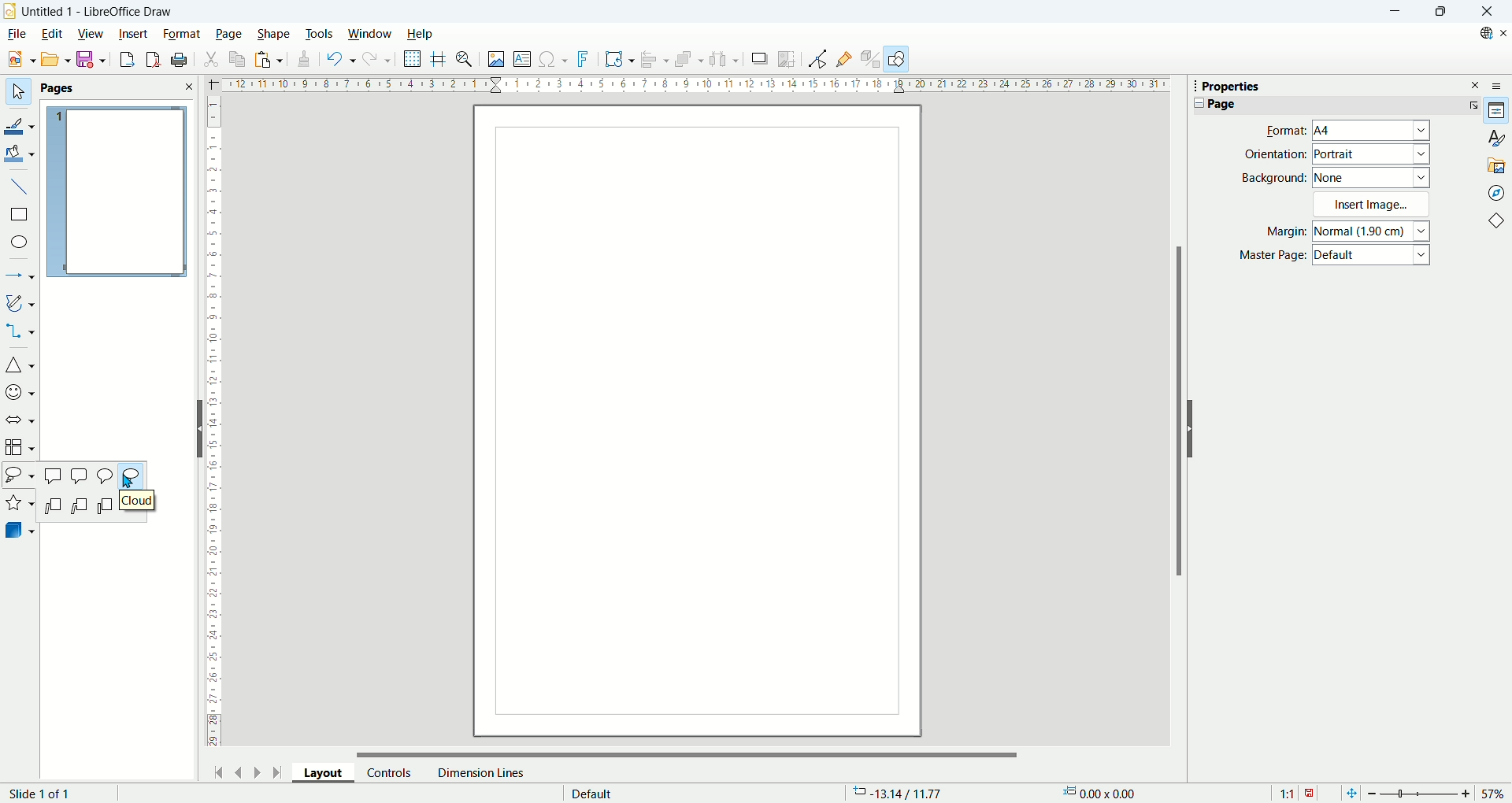 The image size is (1512, 803). Describe the element at coordinates (871, 60) in the screenshot. I see `toggle extrusion` at that location.